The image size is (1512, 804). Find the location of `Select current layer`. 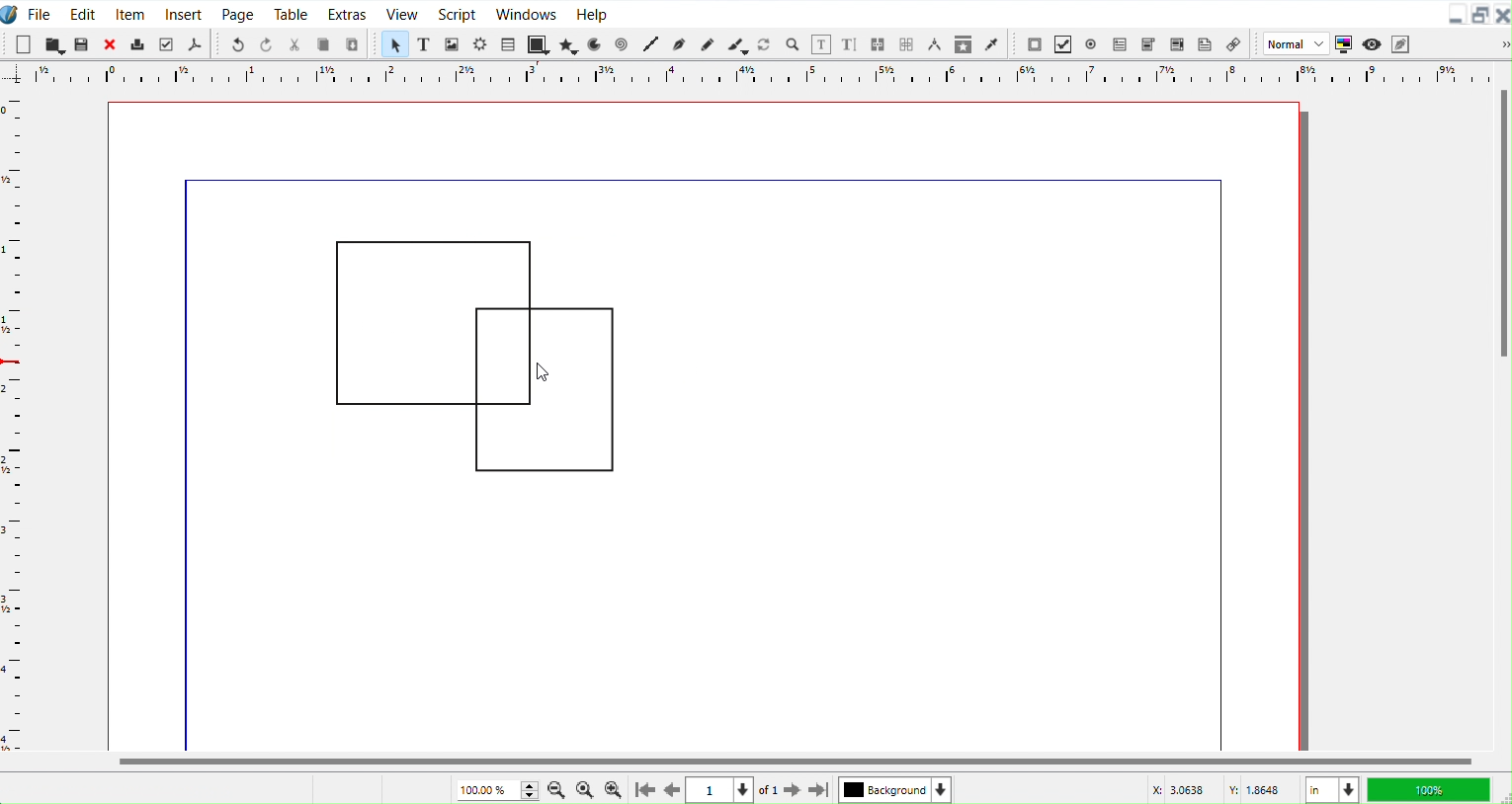

Select current layer is located at coordinates (895, 789).